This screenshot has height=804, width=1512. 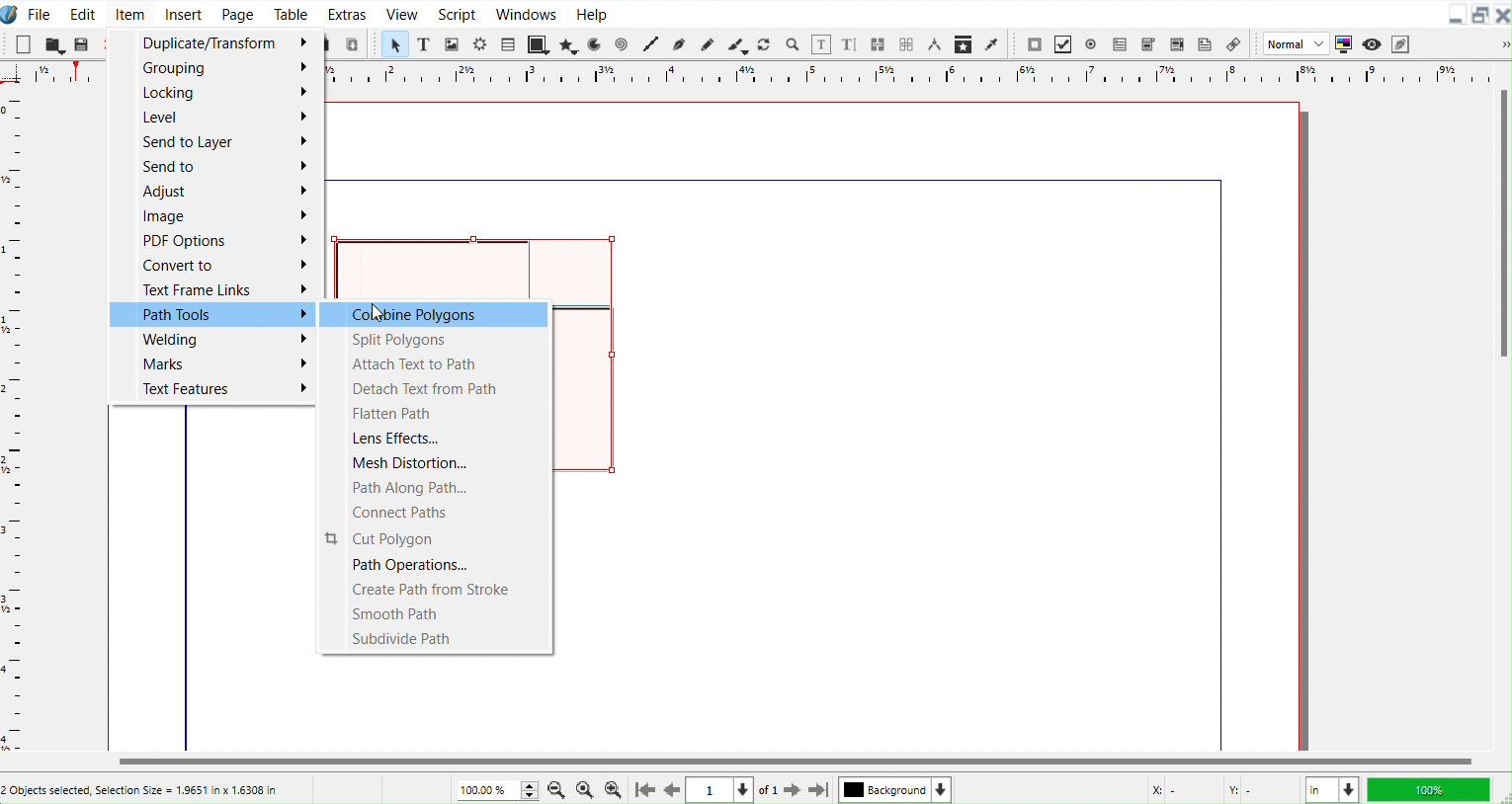 What do you see at coordinates (41, 13) in the screenshot?
I see `File` at bounding box center [41, 13].